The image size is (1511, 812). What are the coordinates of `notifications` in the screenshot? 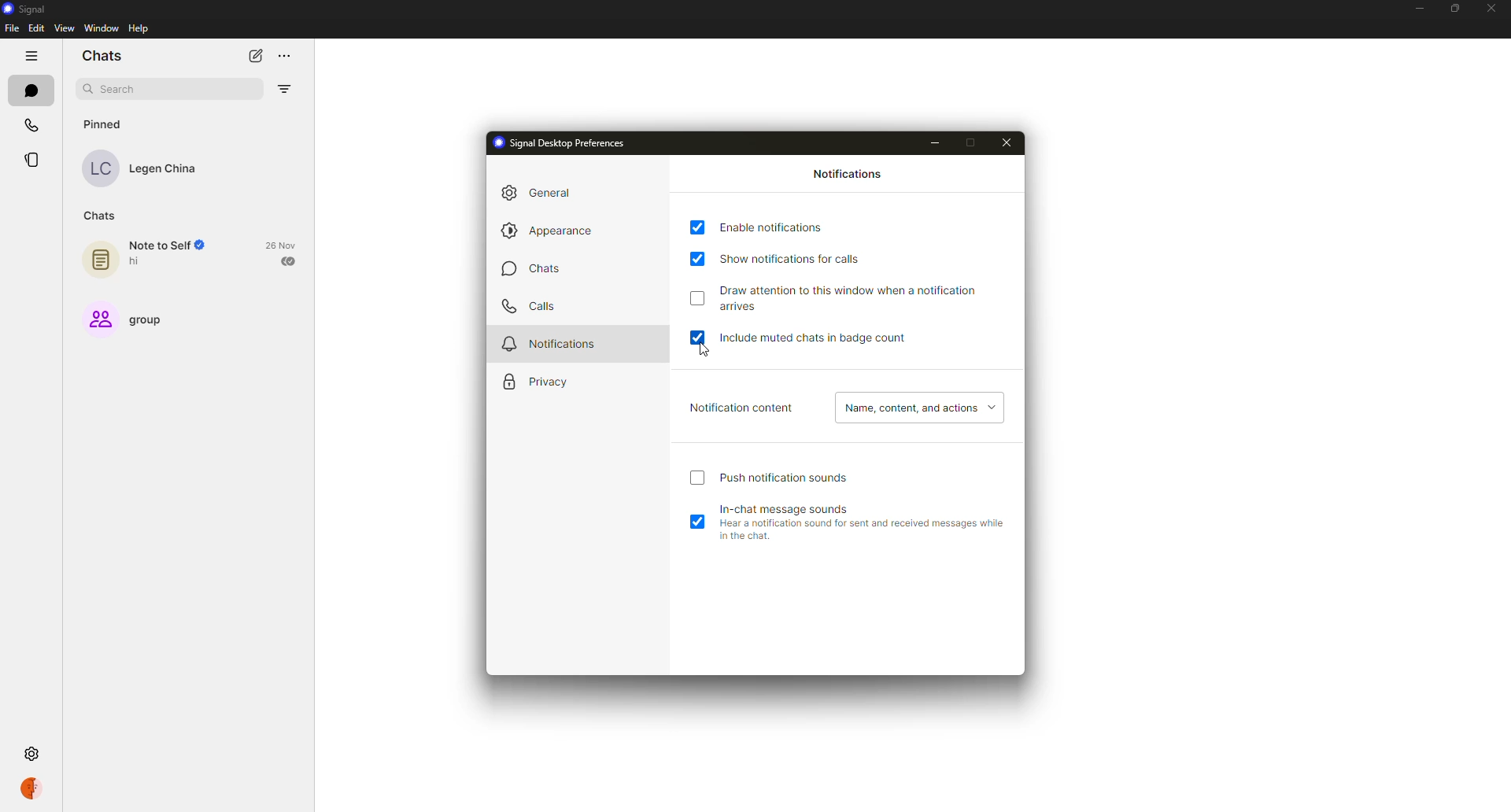 It's located at (848, 175).